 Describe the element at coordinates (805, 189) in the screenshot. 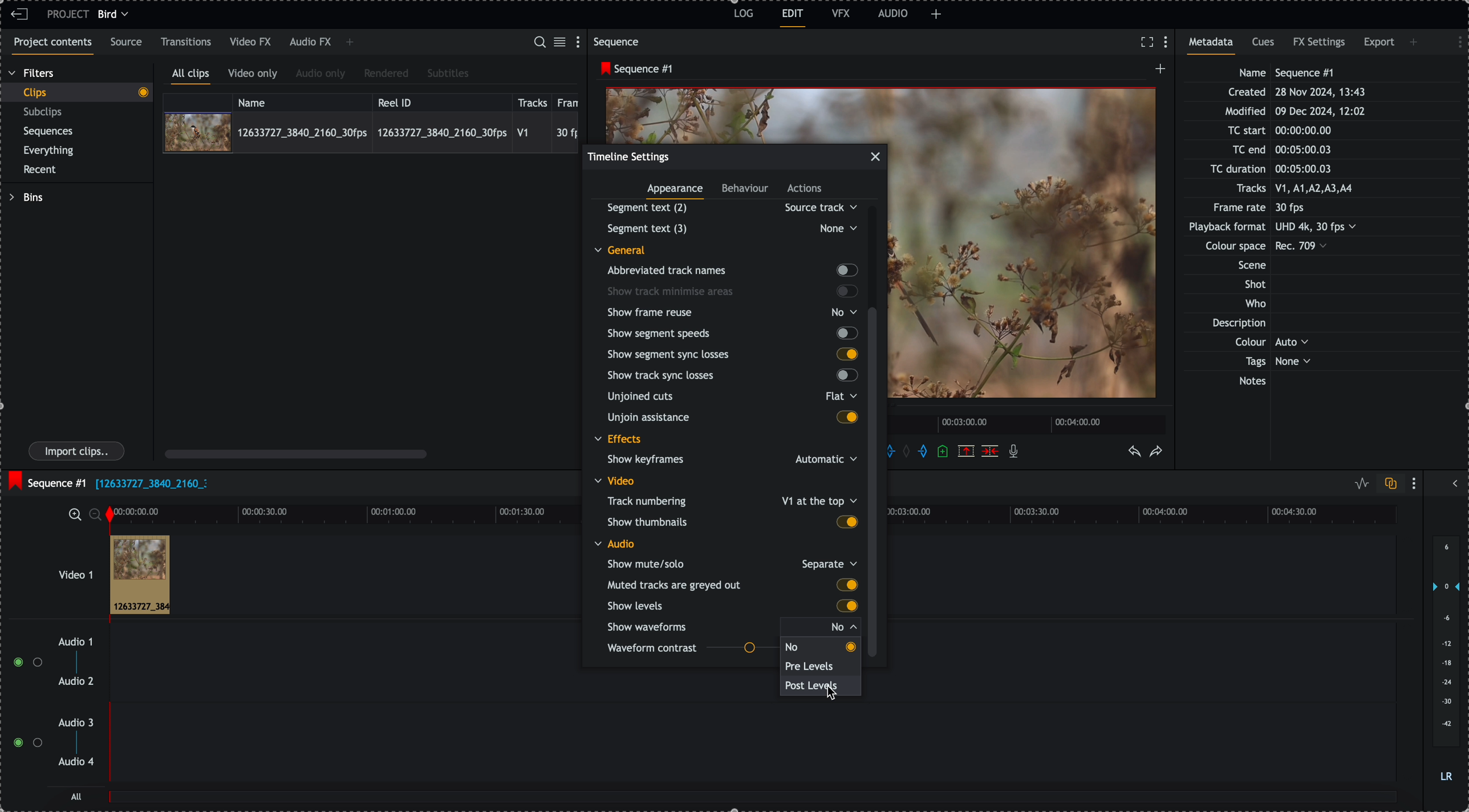

I see `actions` at that location.